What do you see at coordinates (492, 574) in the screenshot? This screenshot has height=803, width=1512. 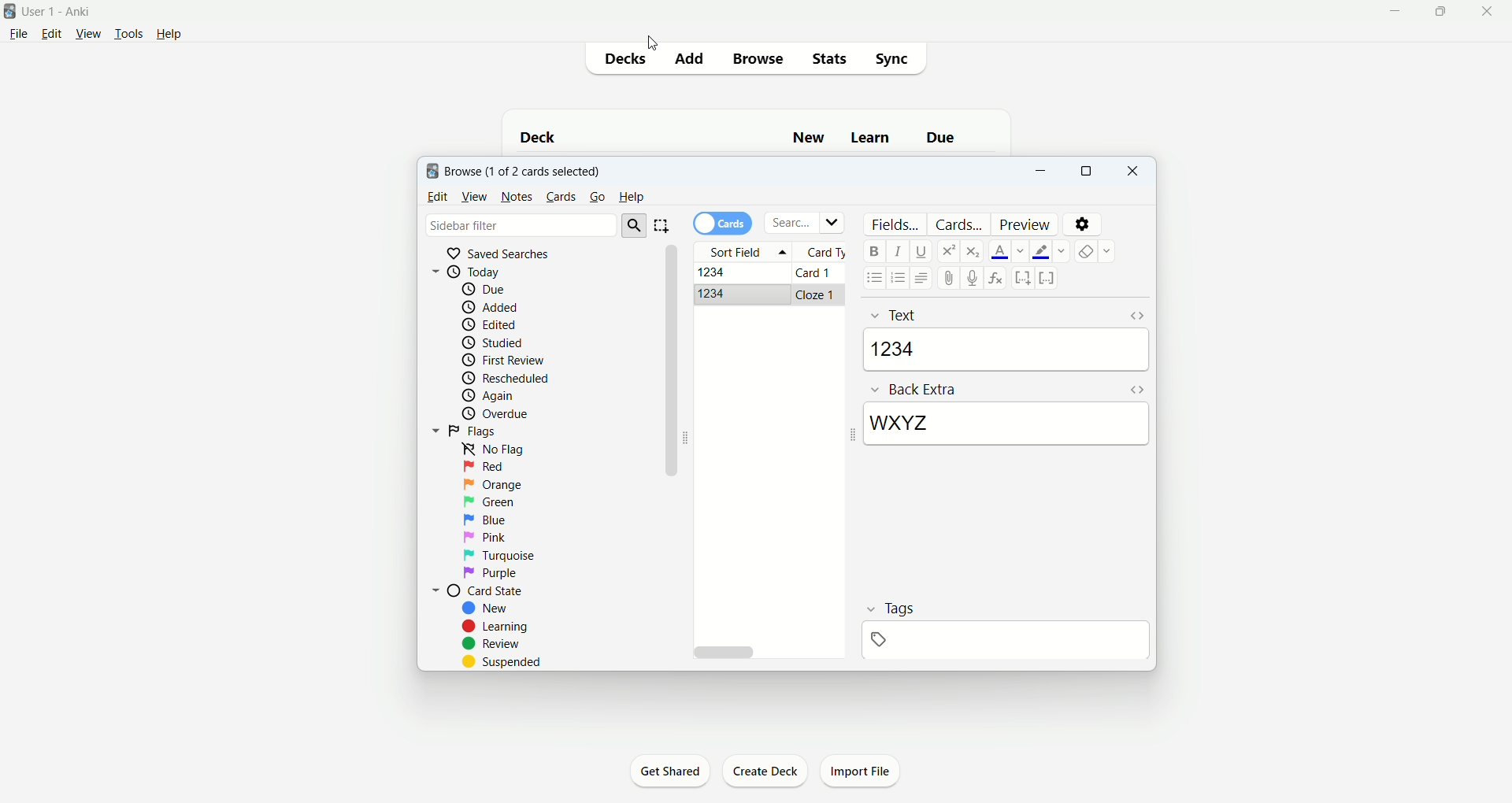 I see `purple` at bounding box center [492, 574].